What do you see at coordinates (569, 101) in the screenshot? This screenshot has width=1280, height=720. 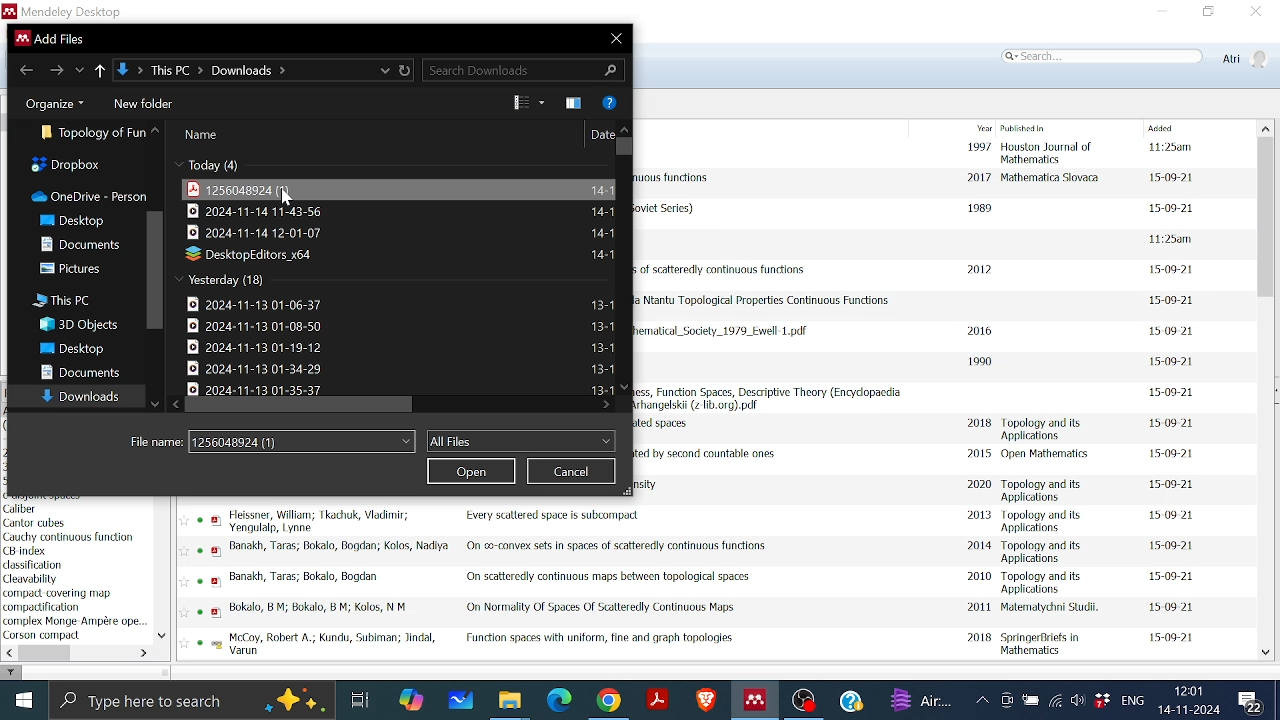 I see `Theme` at bounding box center [569, 101].